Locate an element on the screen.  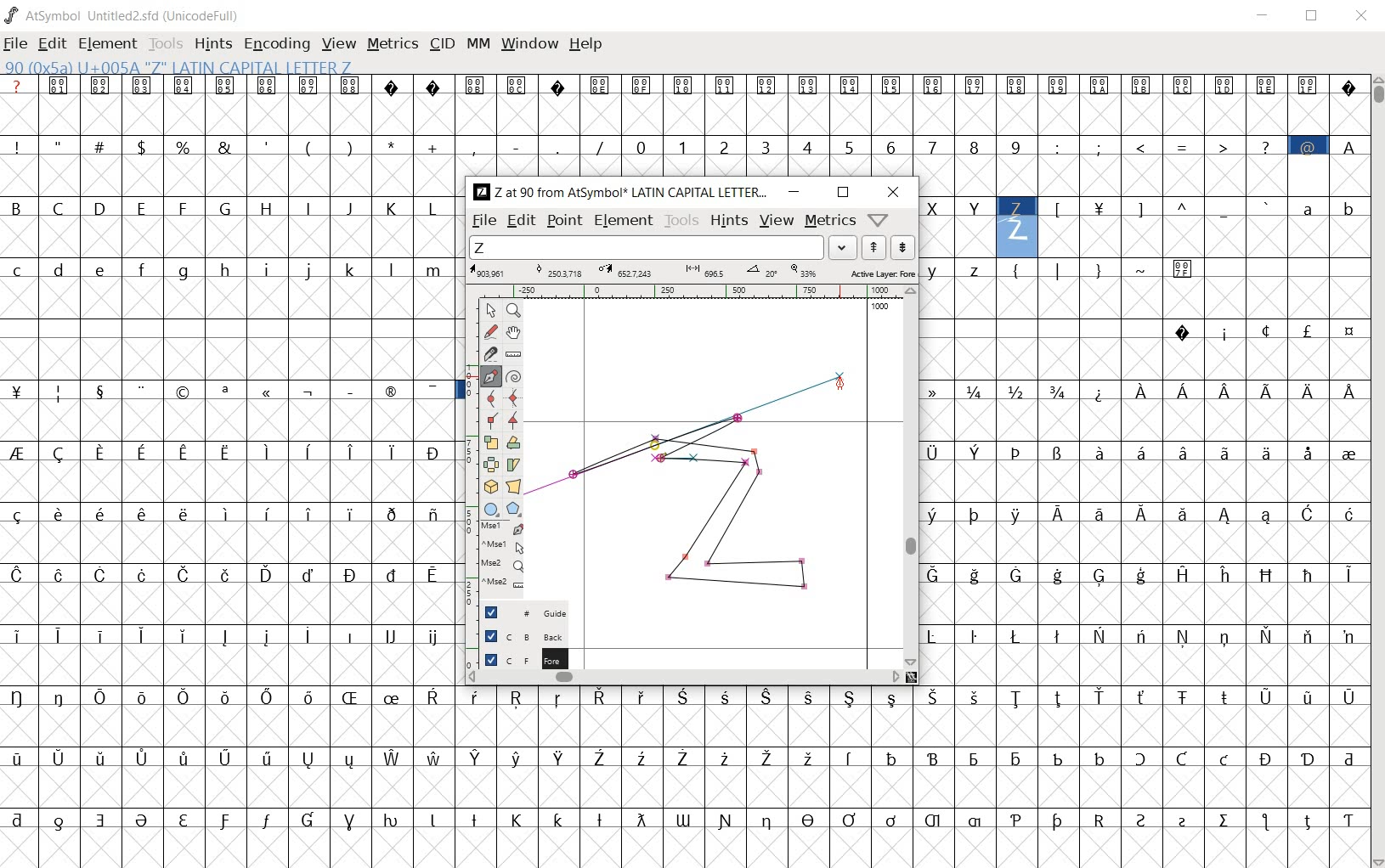
Add a corner point is located at coordinates (490, 420).